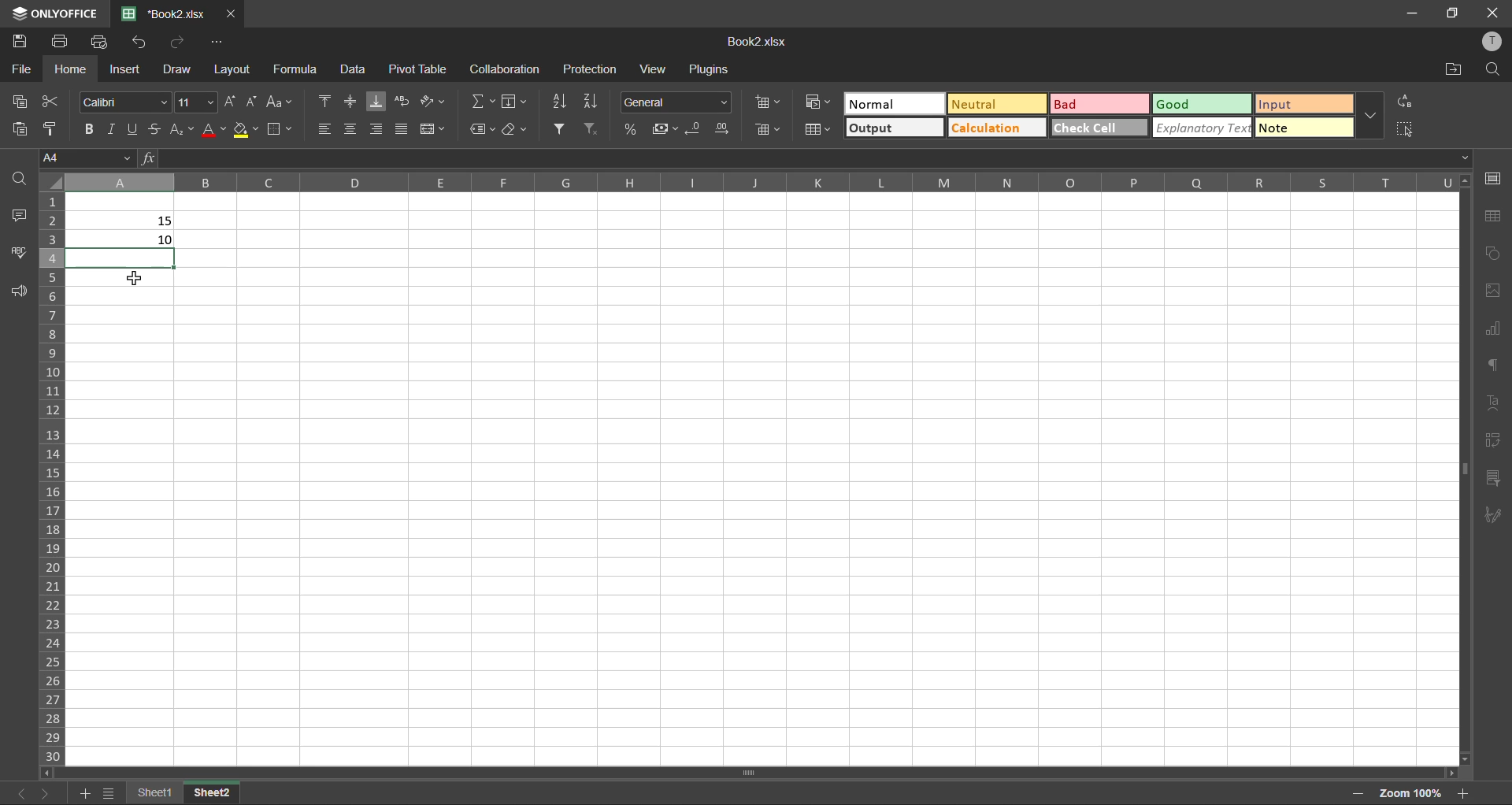 This screenshot has width=1512, height=805. Describe the element at coordinates (651, 71) in the screenshot. I see `view` at that location.